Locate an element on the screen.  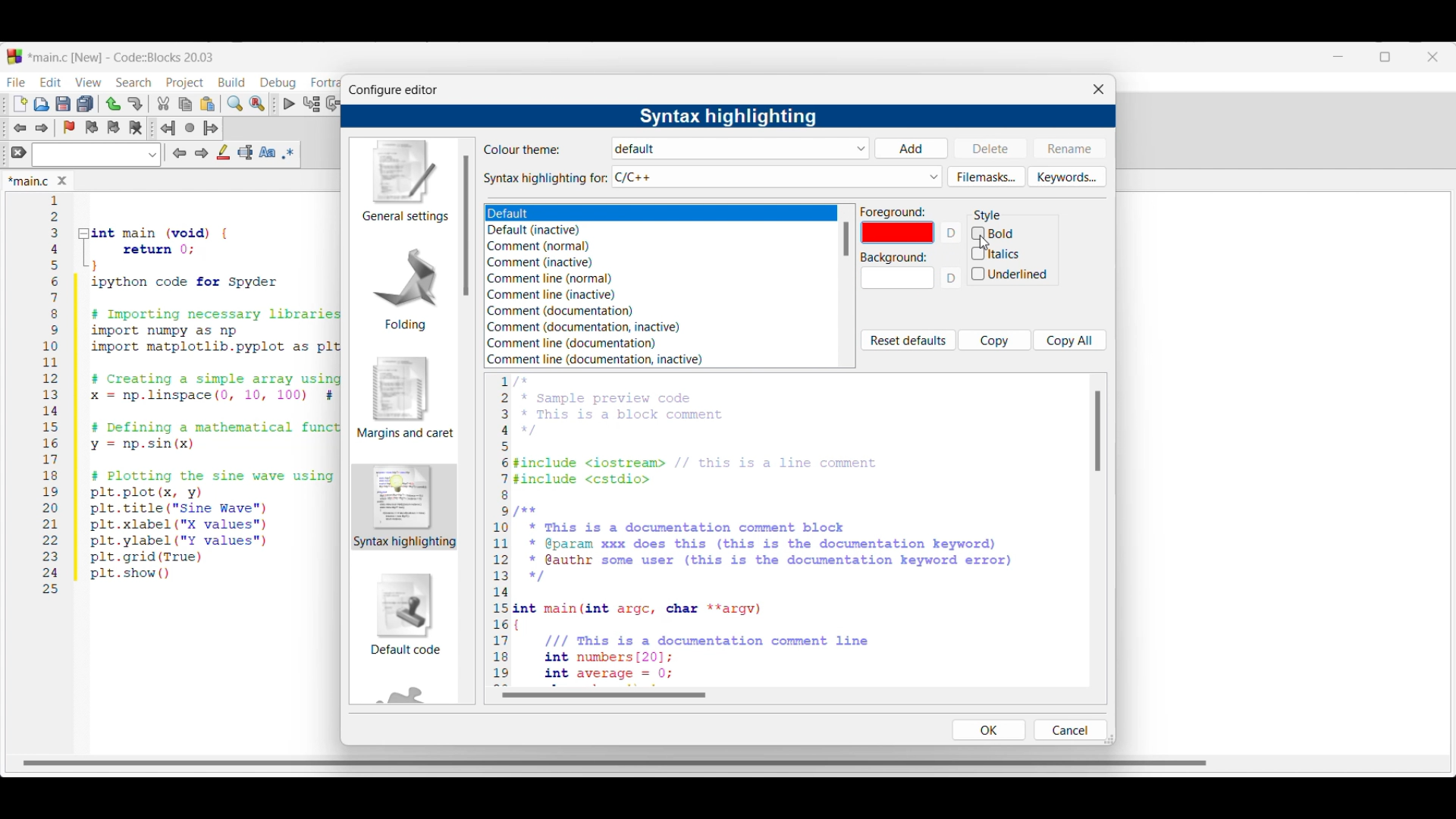
Rename is located at coordinates (1069, 148).